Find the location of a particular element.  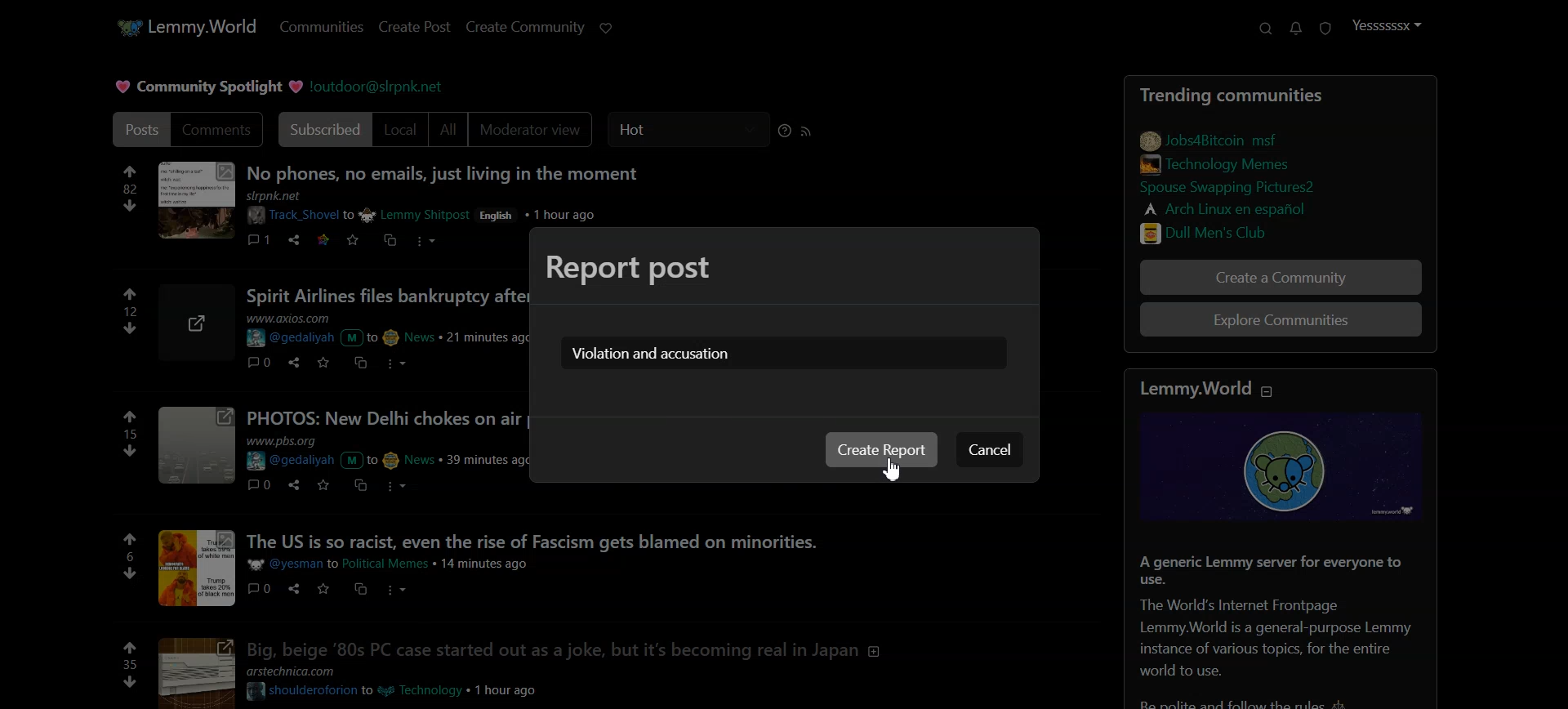

link is located at coordinates (1229, 207).